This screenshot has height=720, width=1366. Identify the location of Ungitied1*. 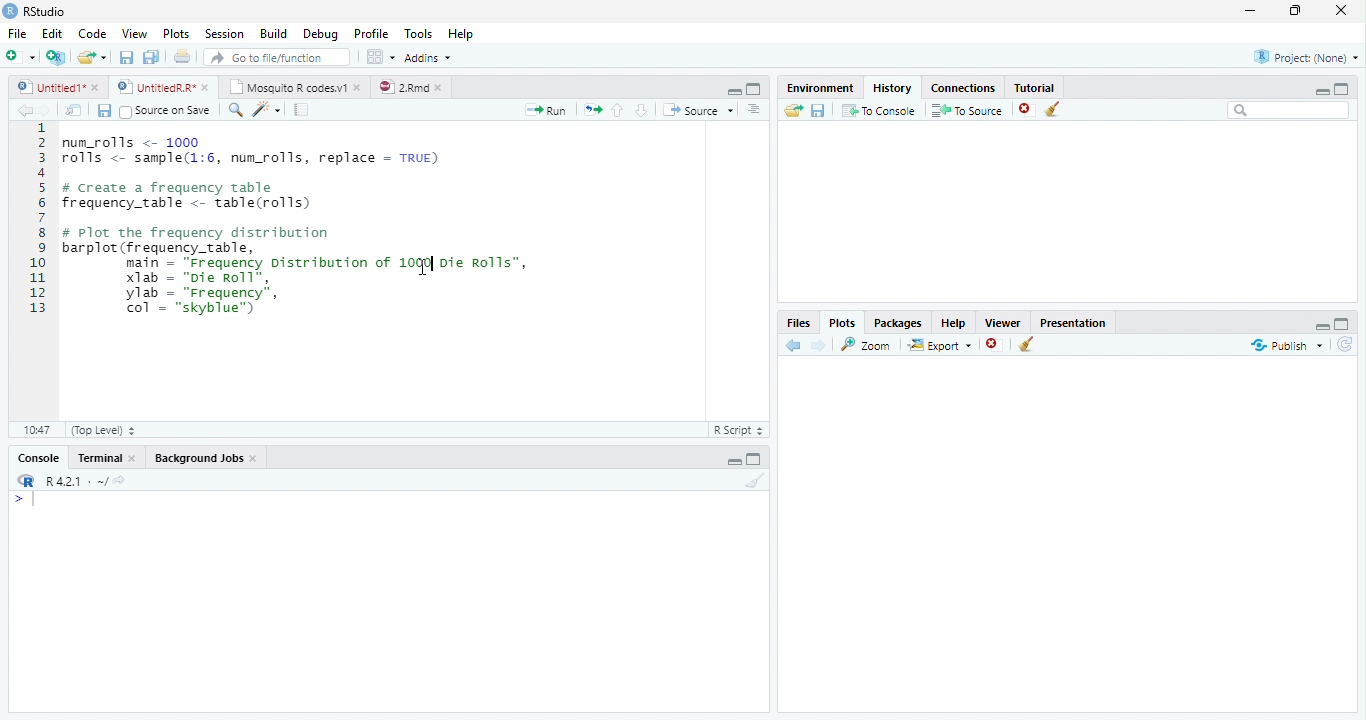
(57, 87).